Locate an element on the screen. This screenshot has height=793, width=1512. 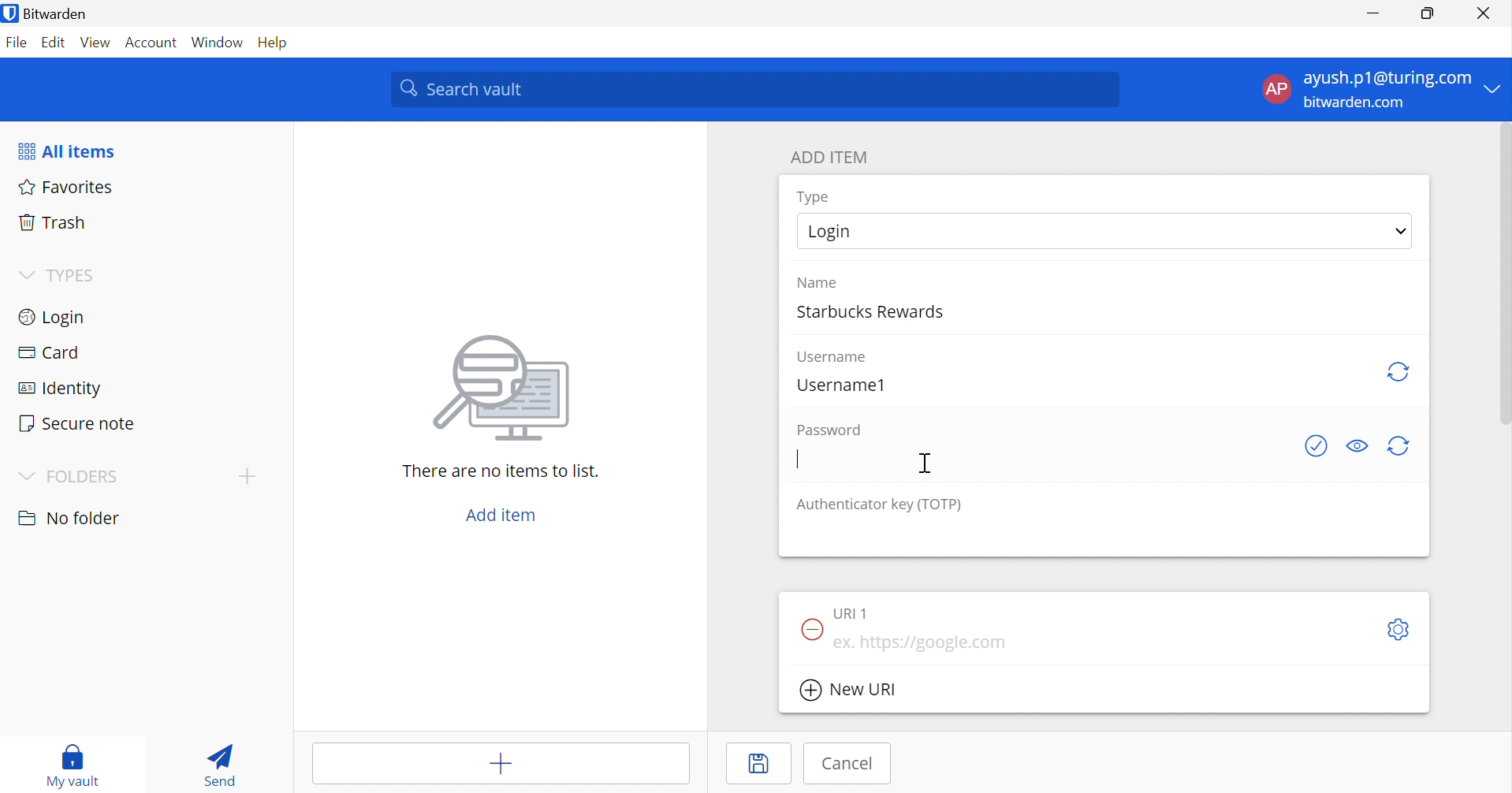
Remove is located at coordinates (809, 631).